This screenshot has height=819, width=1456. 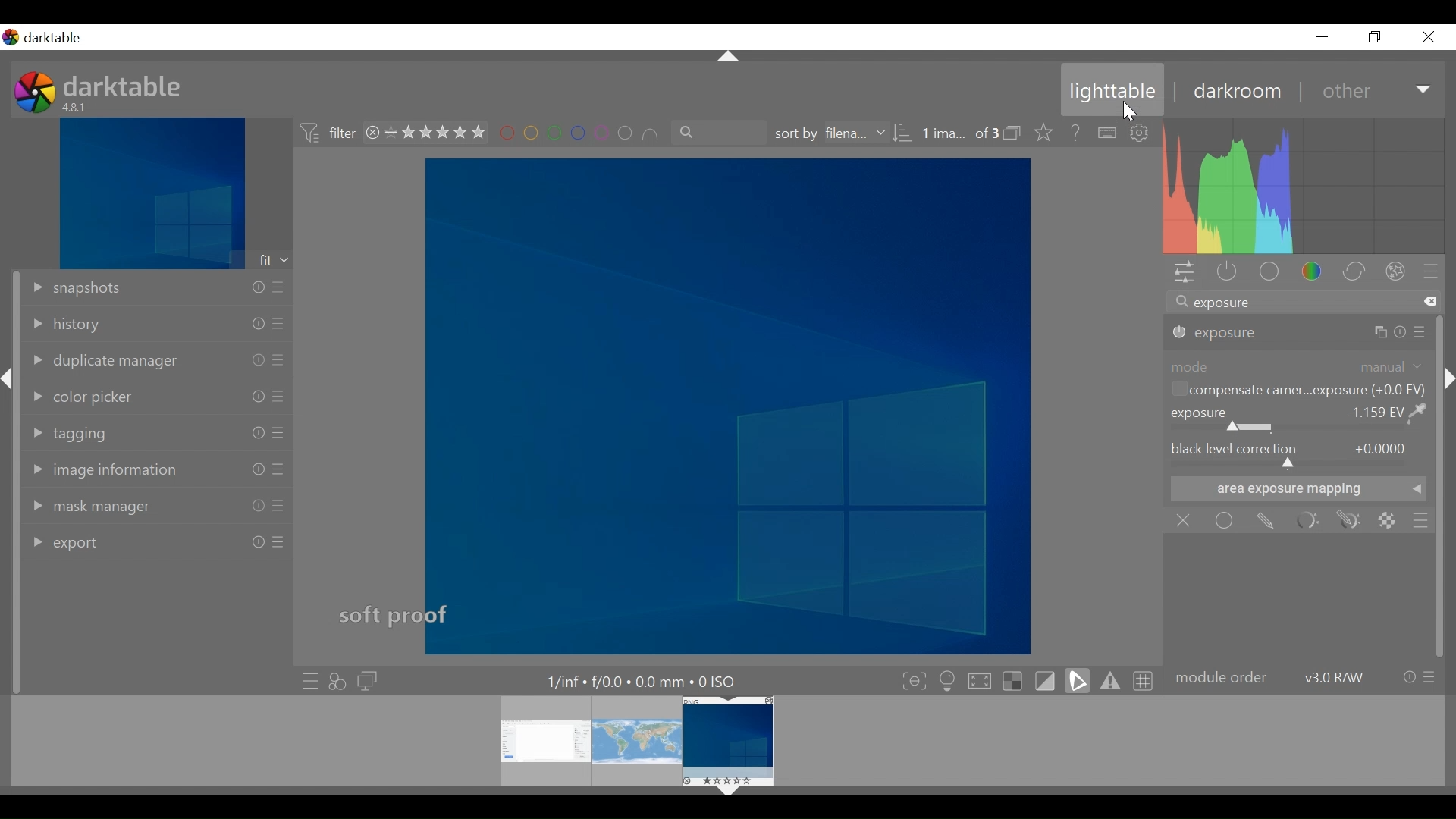 What do you see at coordinates (125, 85) in the screenshot?
I see `darktable` at bounding box center [125, 85].